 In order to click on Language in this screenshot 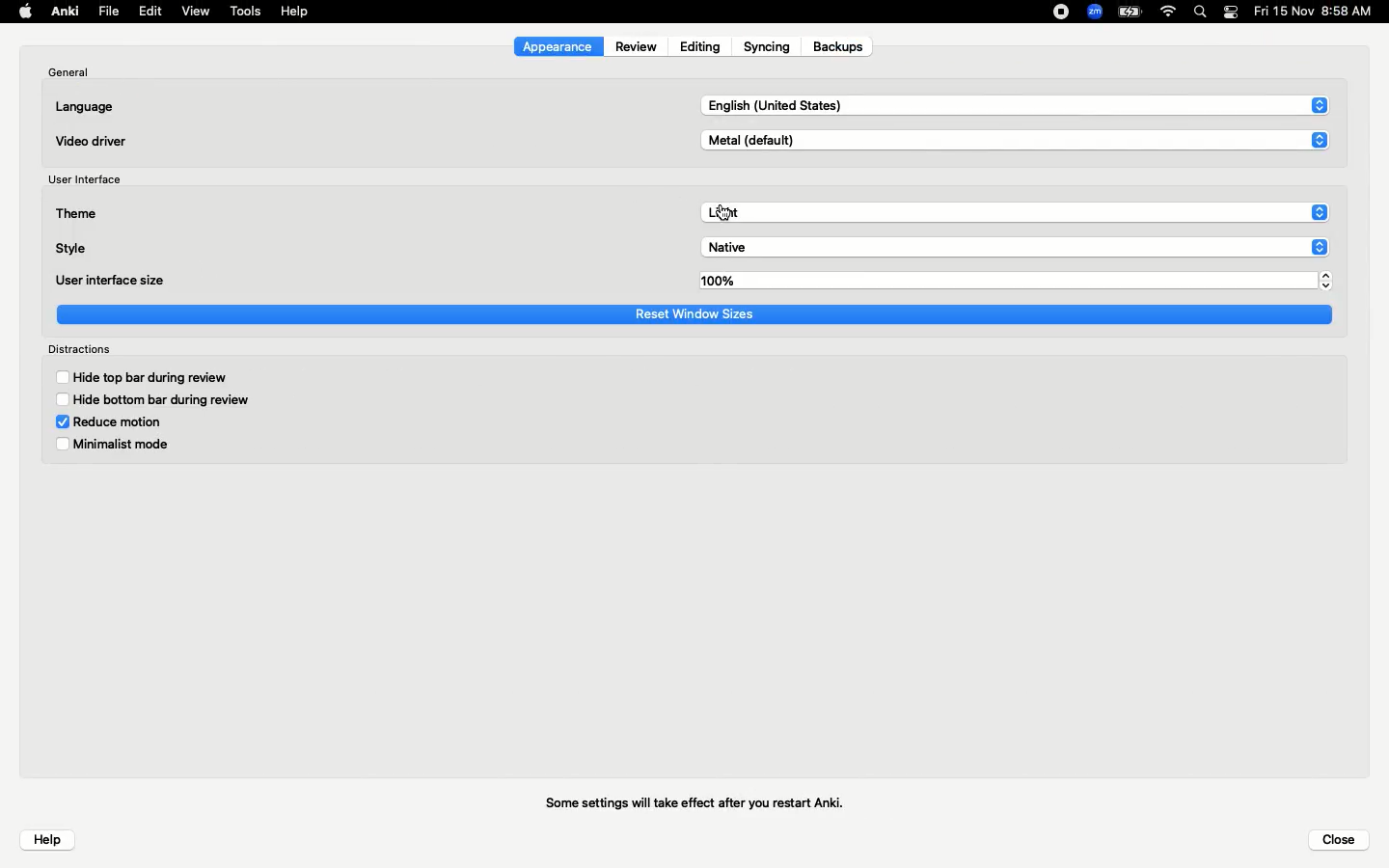, I will do `click(87, 107)`.